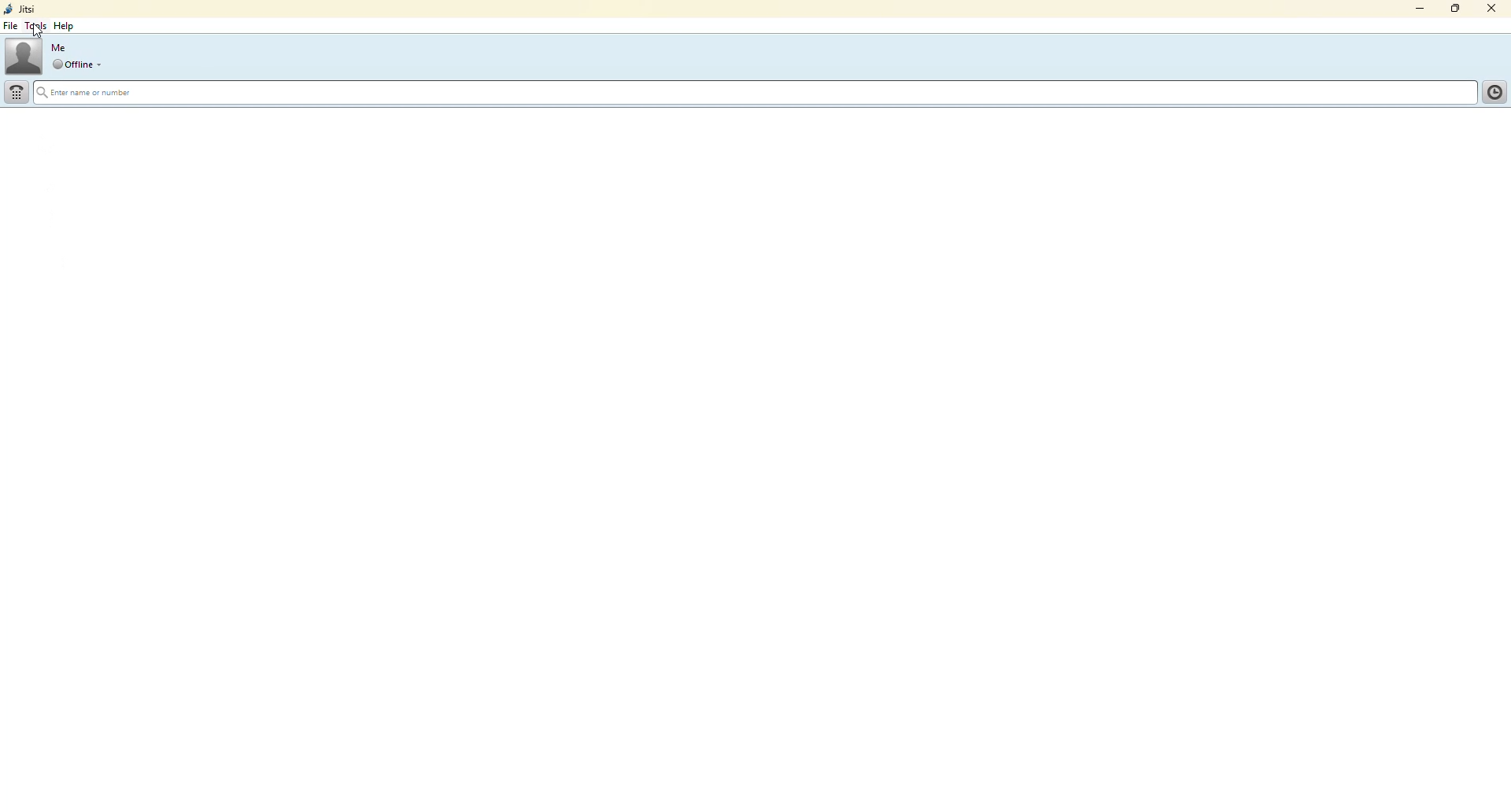  What do you see at coordinates (63, 47) in the screenshot?
I see `me` at bounding box center [63, 47].